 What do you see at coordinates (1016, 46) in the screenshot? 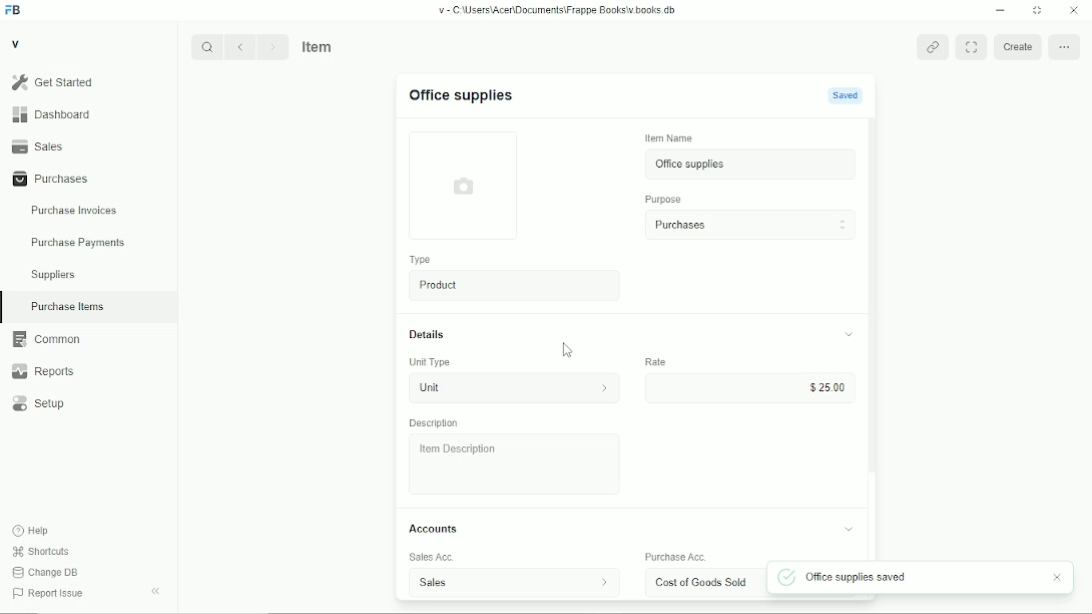
I see `create` at bounding box center [1016, 46].